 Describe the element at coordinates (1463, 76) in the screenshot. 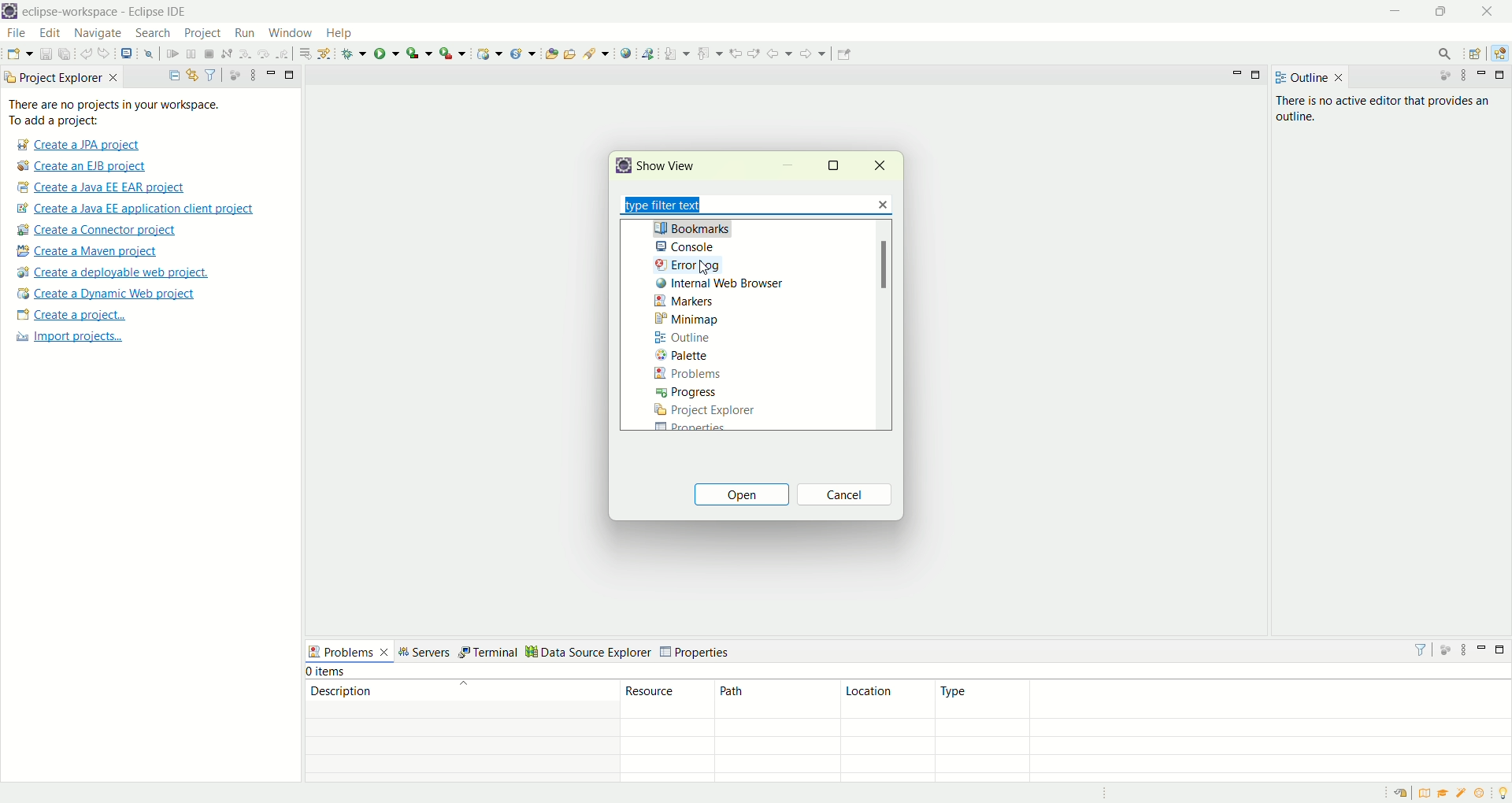

I see `view menu` at that location.